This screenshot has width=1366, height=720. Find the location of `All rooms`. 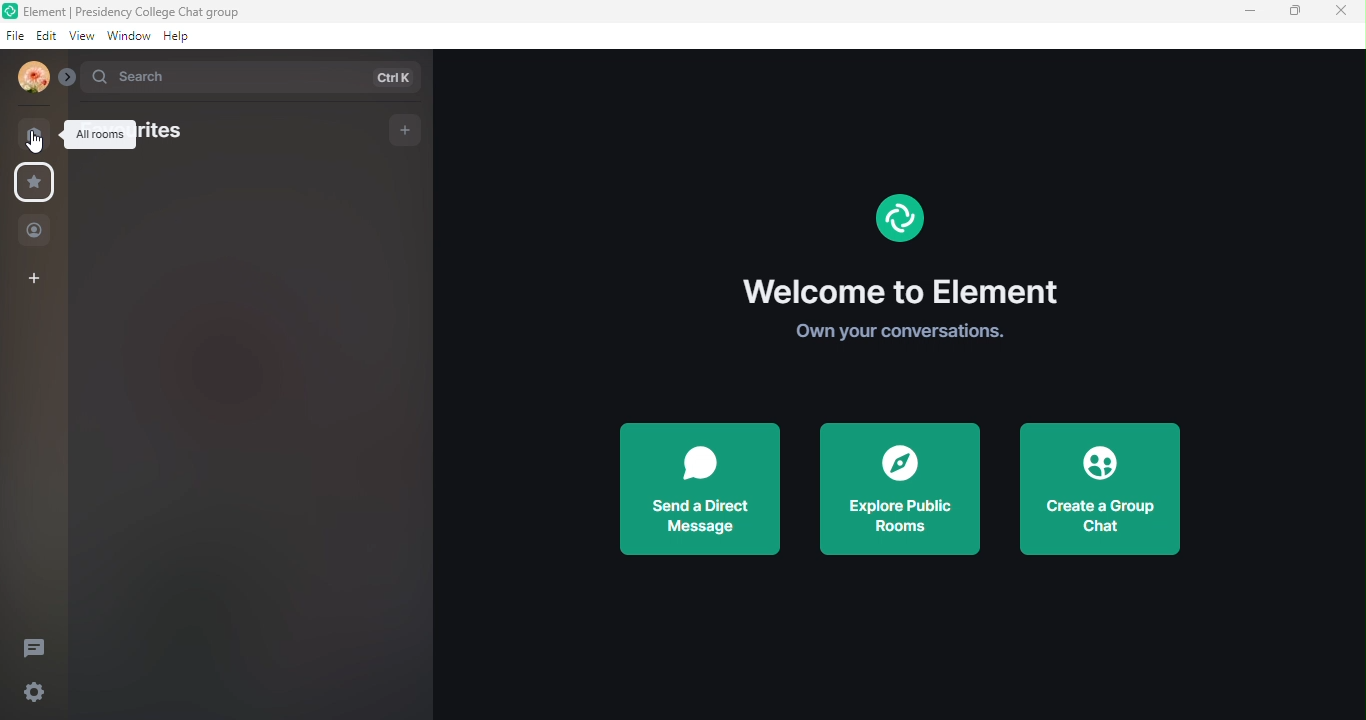

All rooms is located at coordinates (102, 134).